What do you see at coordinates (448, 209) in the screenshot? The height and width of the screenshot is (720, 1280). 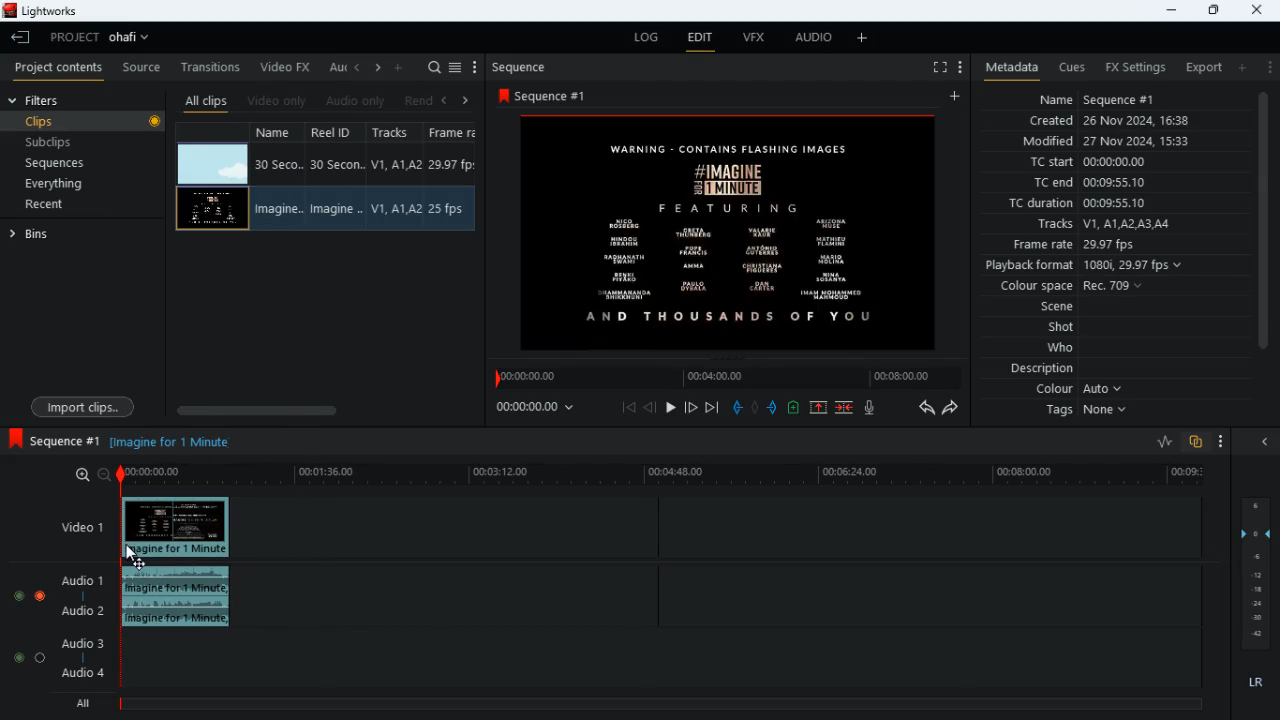 I see `Frame Rate` at bounding box center [448, 209].